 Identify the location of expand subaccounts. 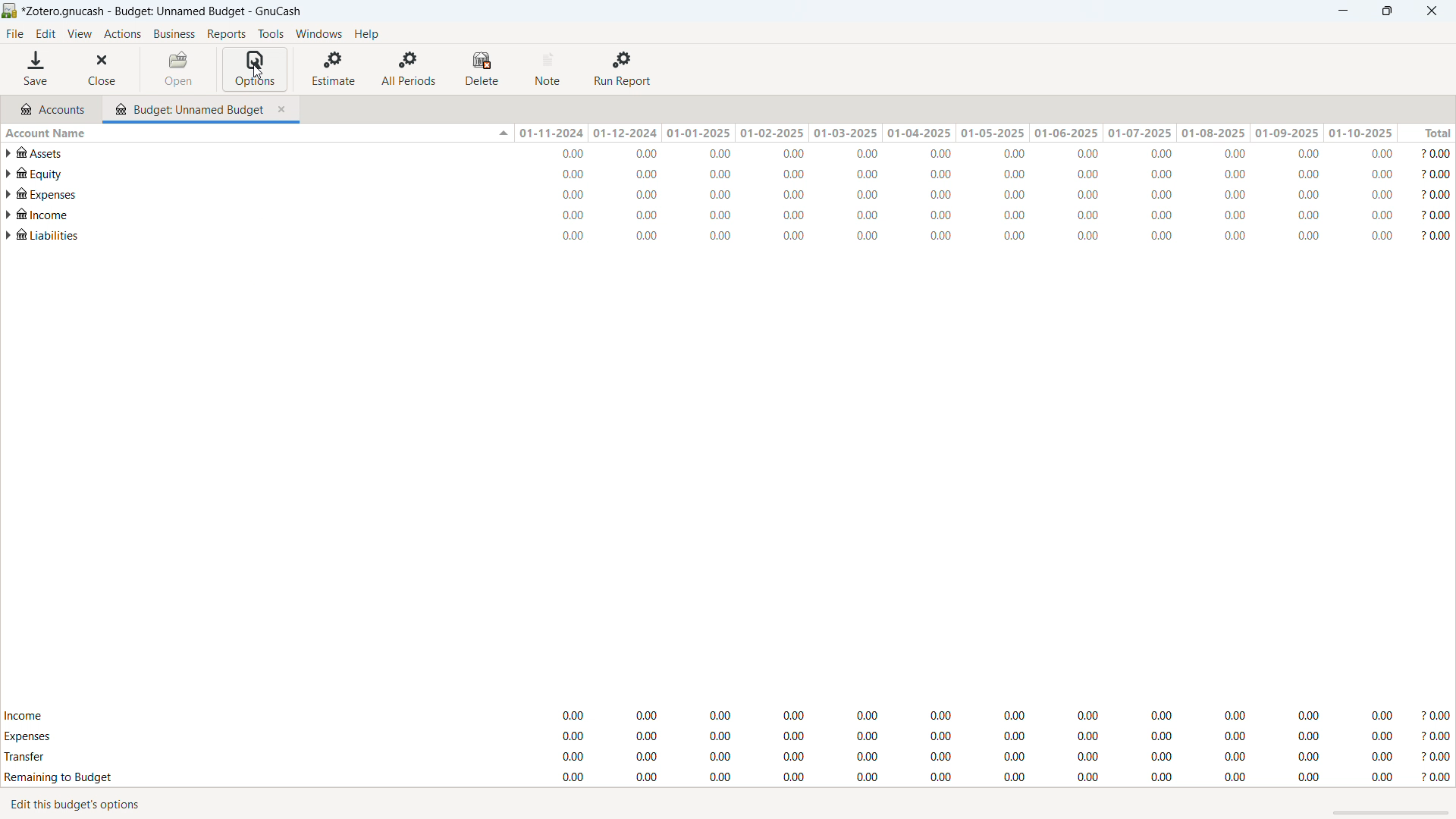
(8, 153).